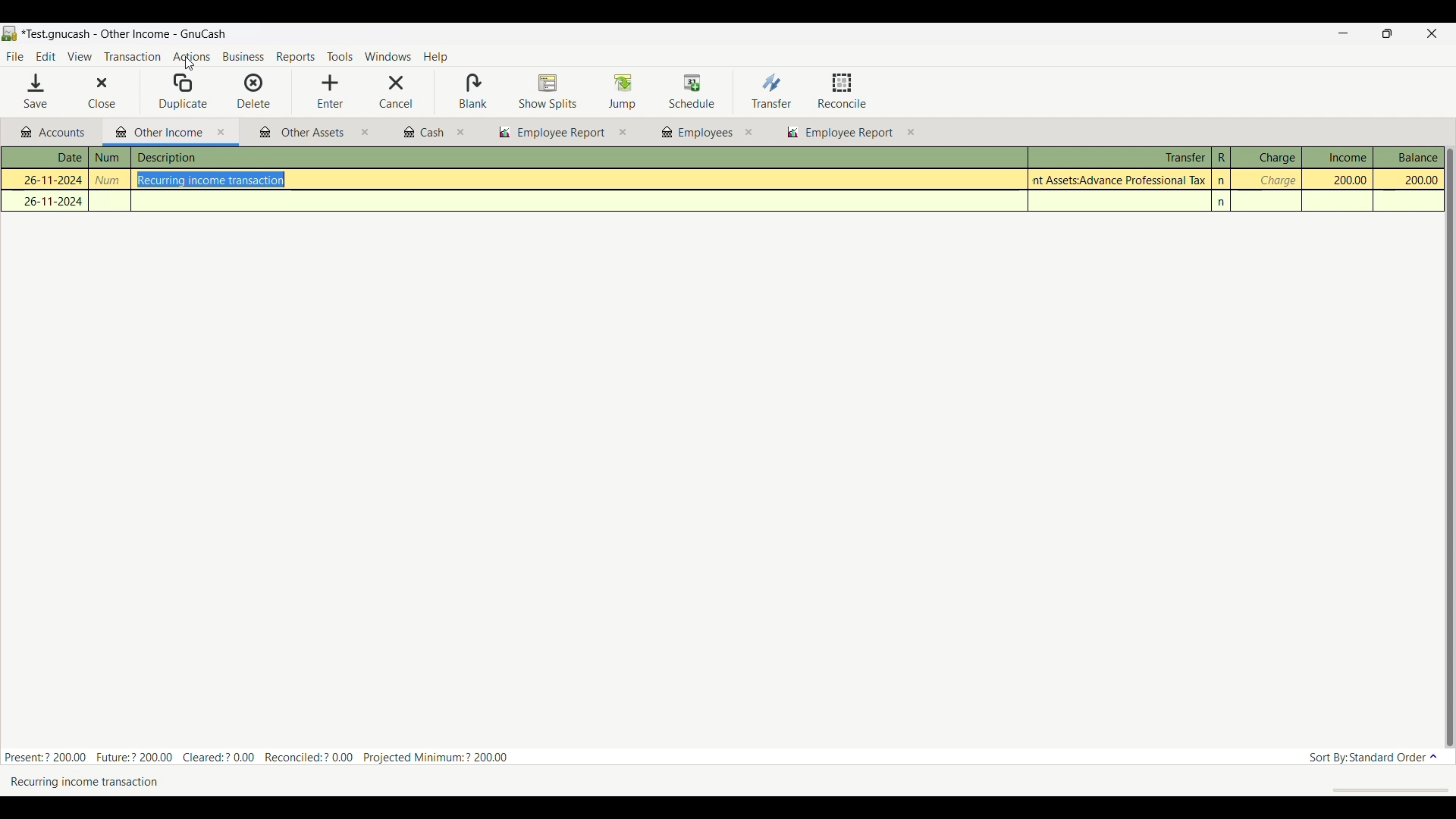  Describe the element at coordinates (254, 90) in the screenshot. I see `Delete` at that location.